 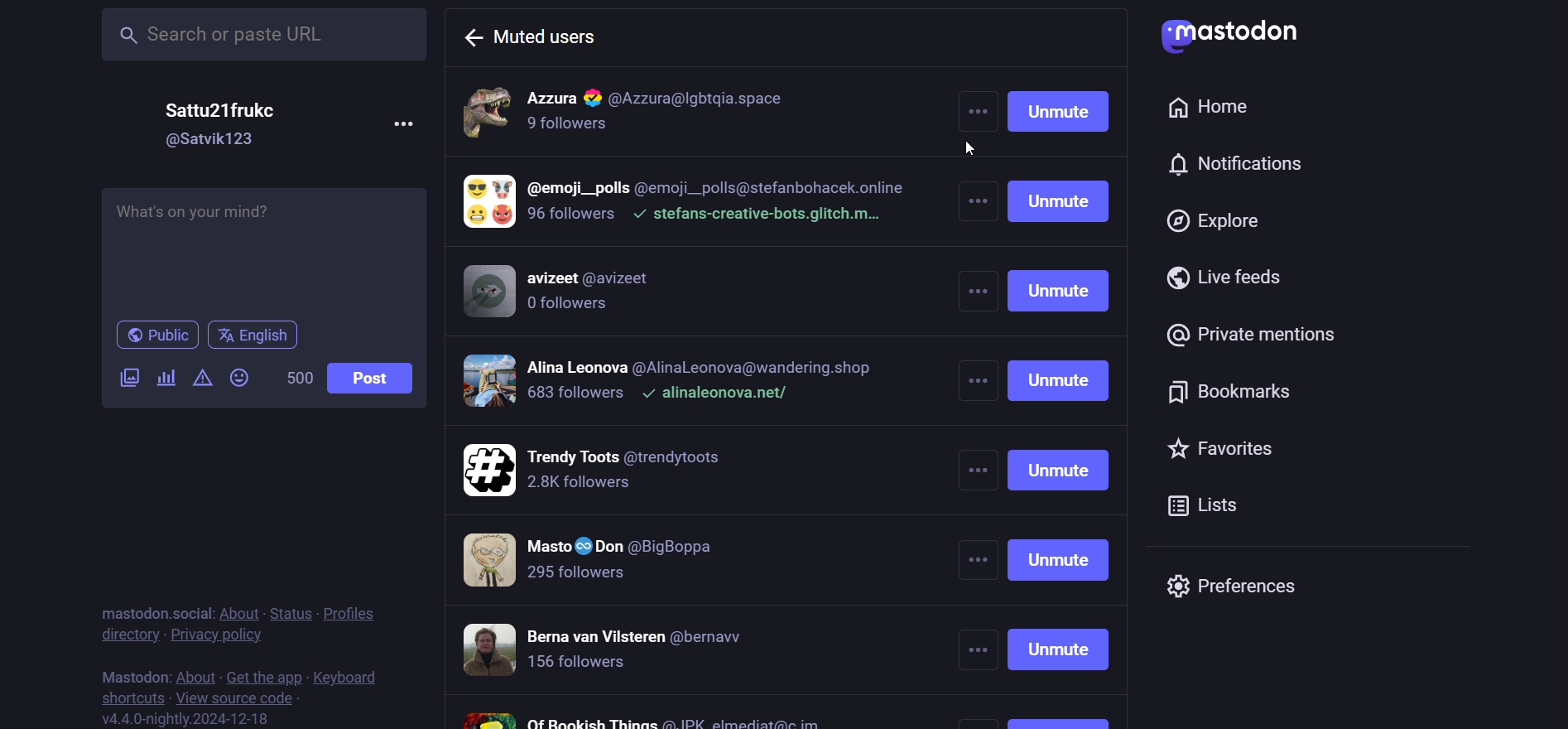 I want to click on unmute, so click(x=1064, y=452).